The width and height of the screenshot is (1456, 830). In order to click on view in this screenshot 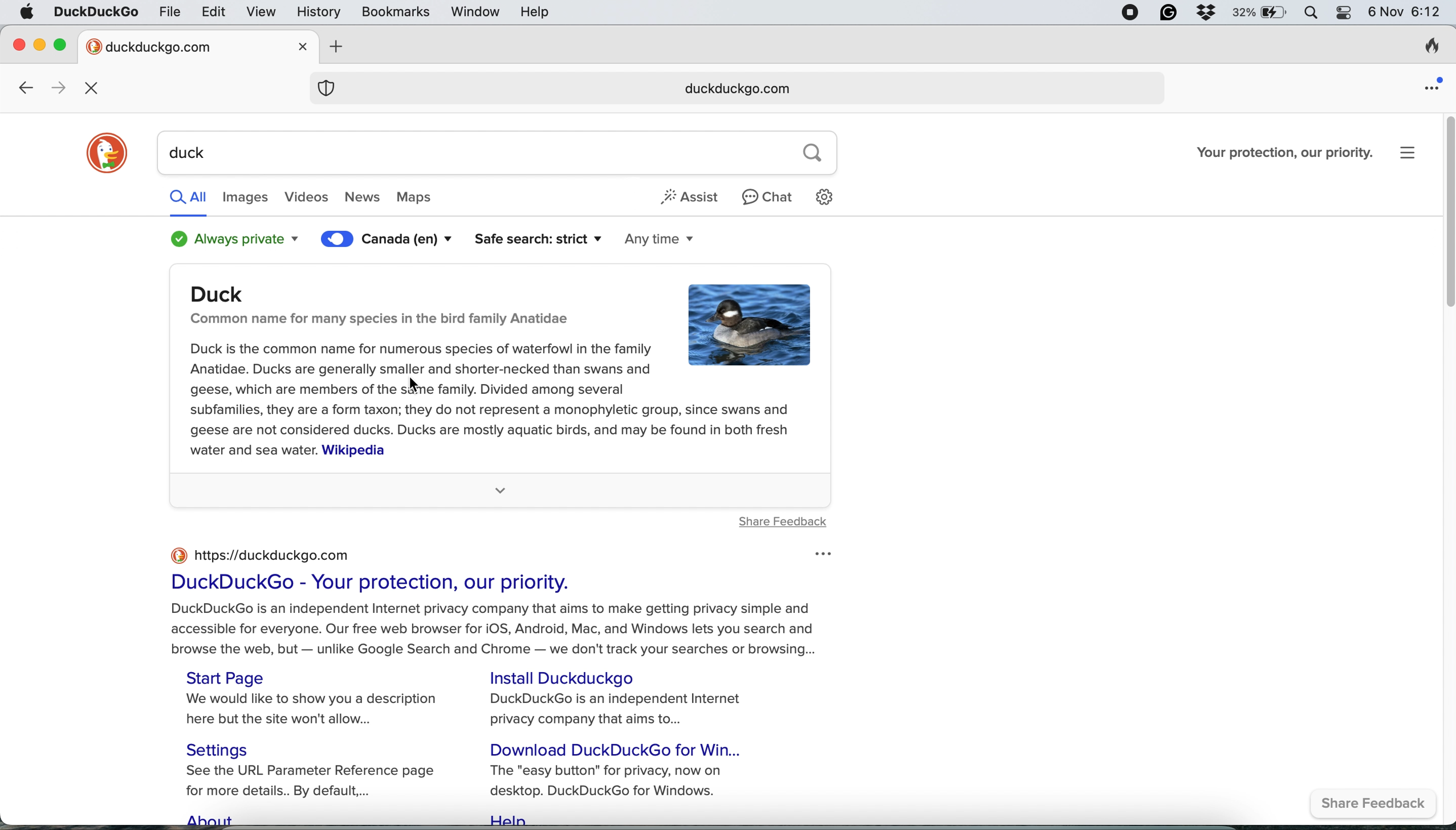, I will do `click(264, 14)`.